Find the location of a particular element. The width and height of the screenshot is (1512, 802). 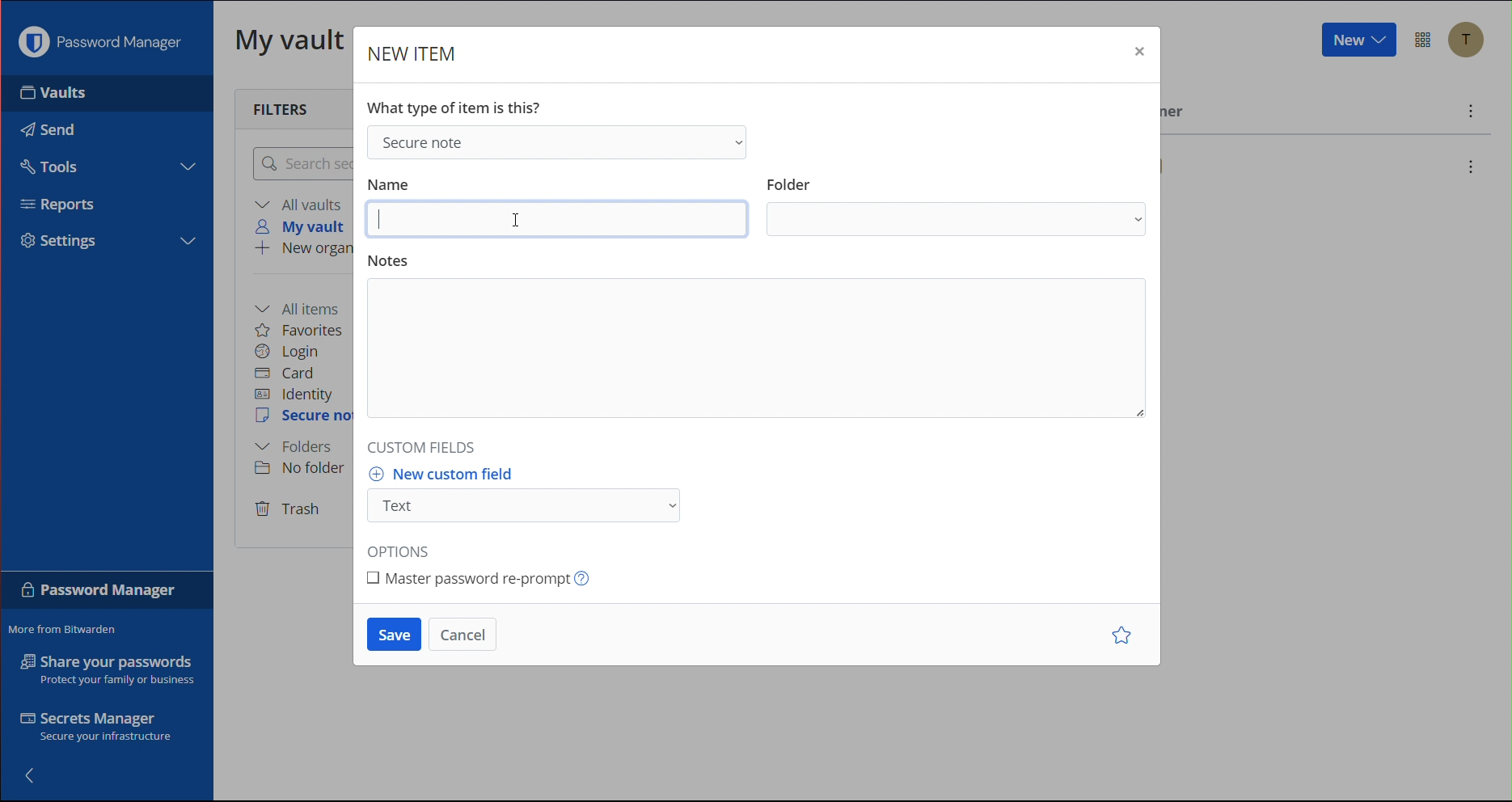

My Vault is located at coordinates (290, 39).